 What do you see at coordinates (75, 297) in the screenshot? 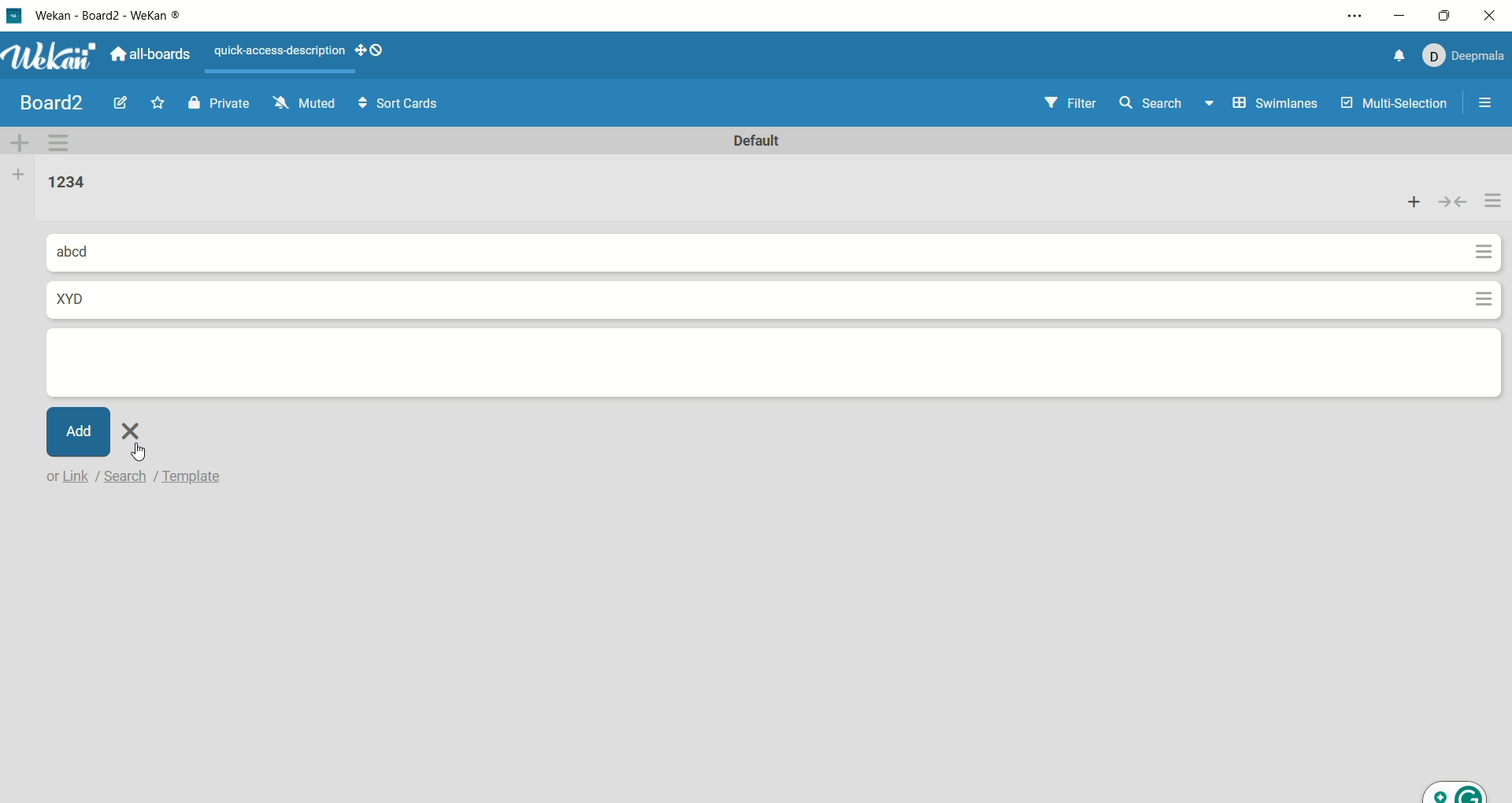
I see `card title` at bounding box center [75, 297].